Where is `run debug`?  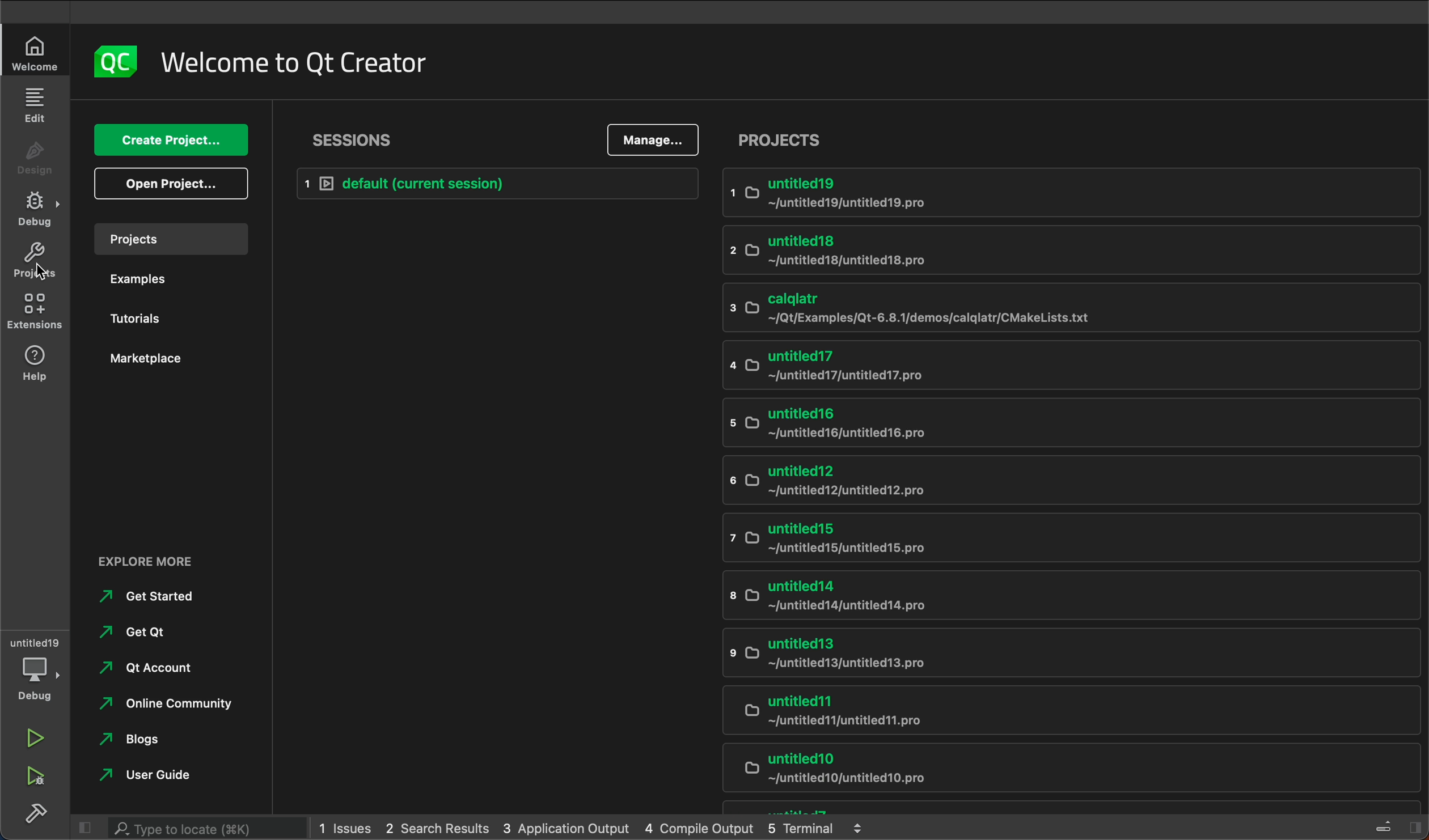 run debug is located at coordinates (37, 774).